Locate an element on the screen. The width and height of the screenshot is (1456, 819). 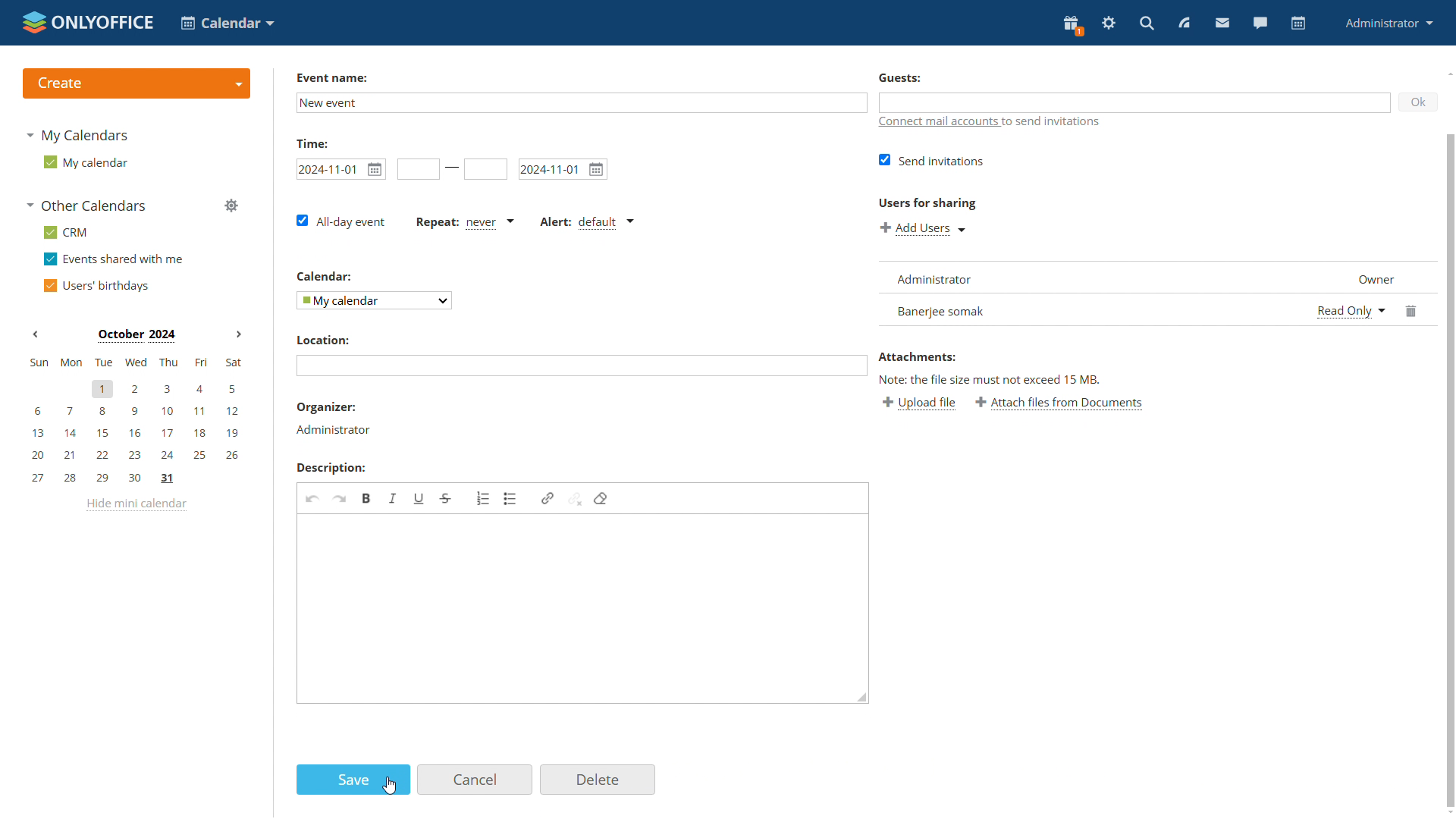
scrollbar is located at coordinates (1450, 469).